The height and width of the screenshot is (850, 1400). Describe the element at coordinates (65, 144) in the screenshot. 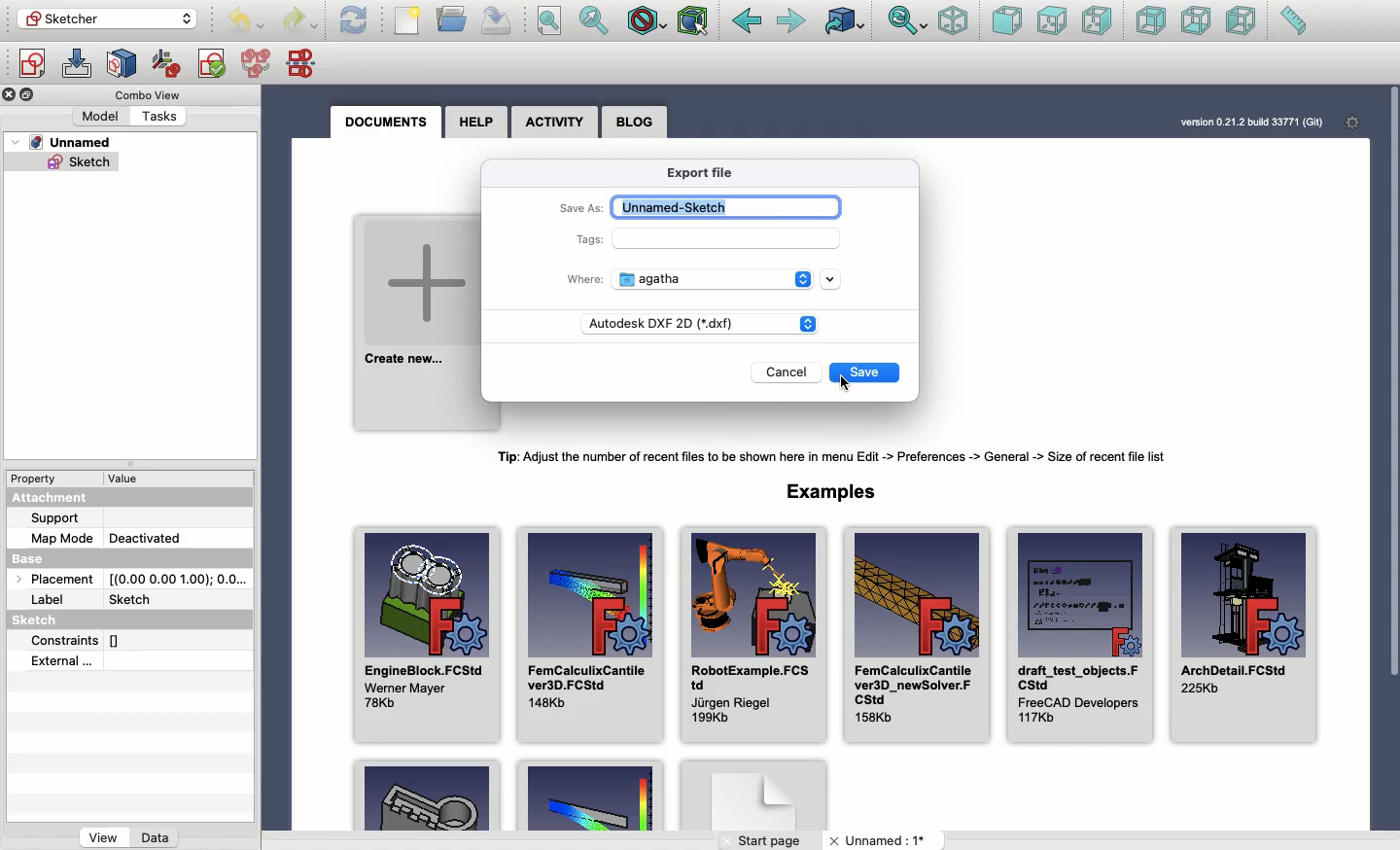

I see `Unnamed` at that location.